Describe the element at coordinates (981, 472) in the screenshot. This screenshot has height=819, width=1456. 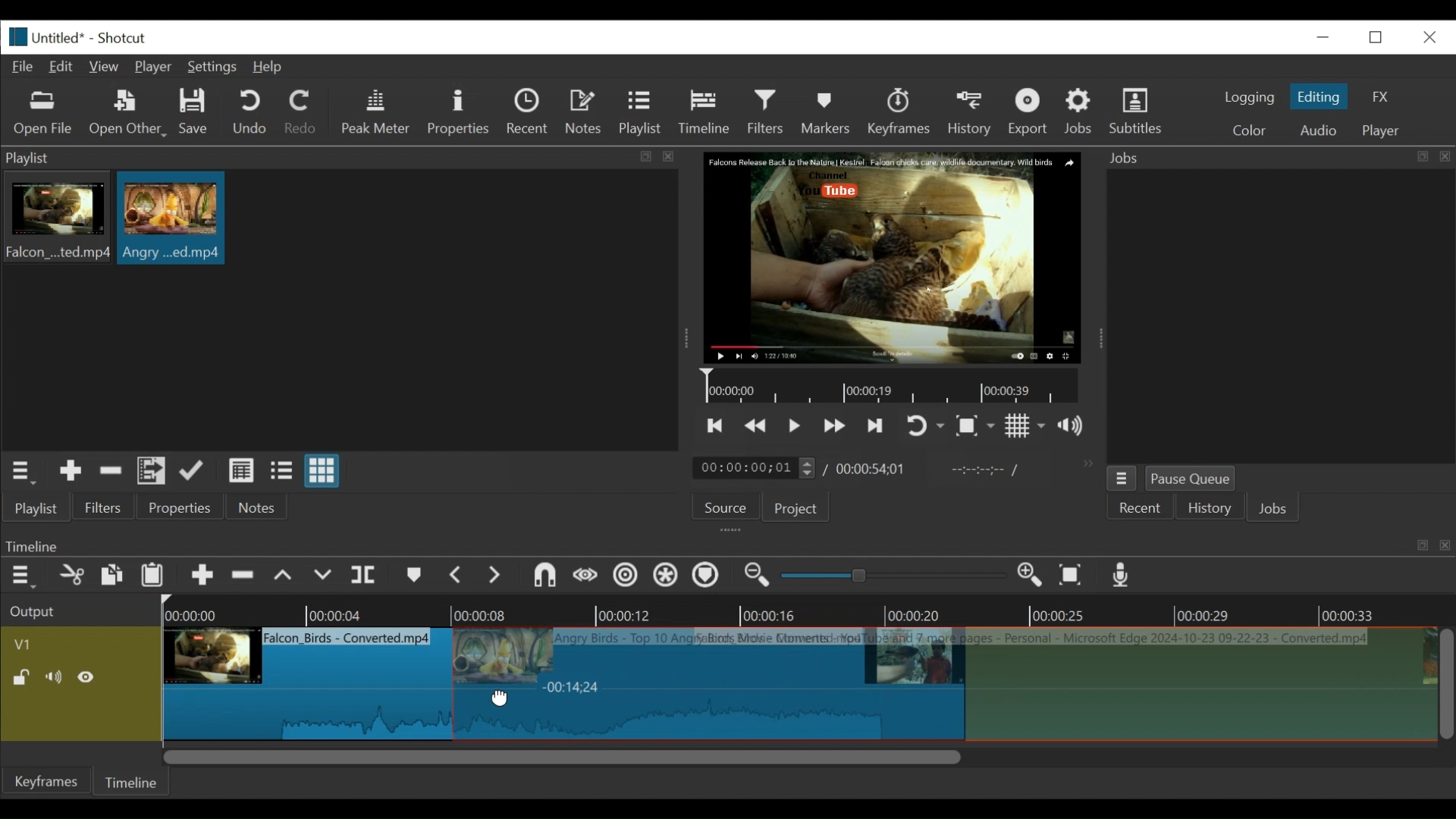
I see `in point` at that location.